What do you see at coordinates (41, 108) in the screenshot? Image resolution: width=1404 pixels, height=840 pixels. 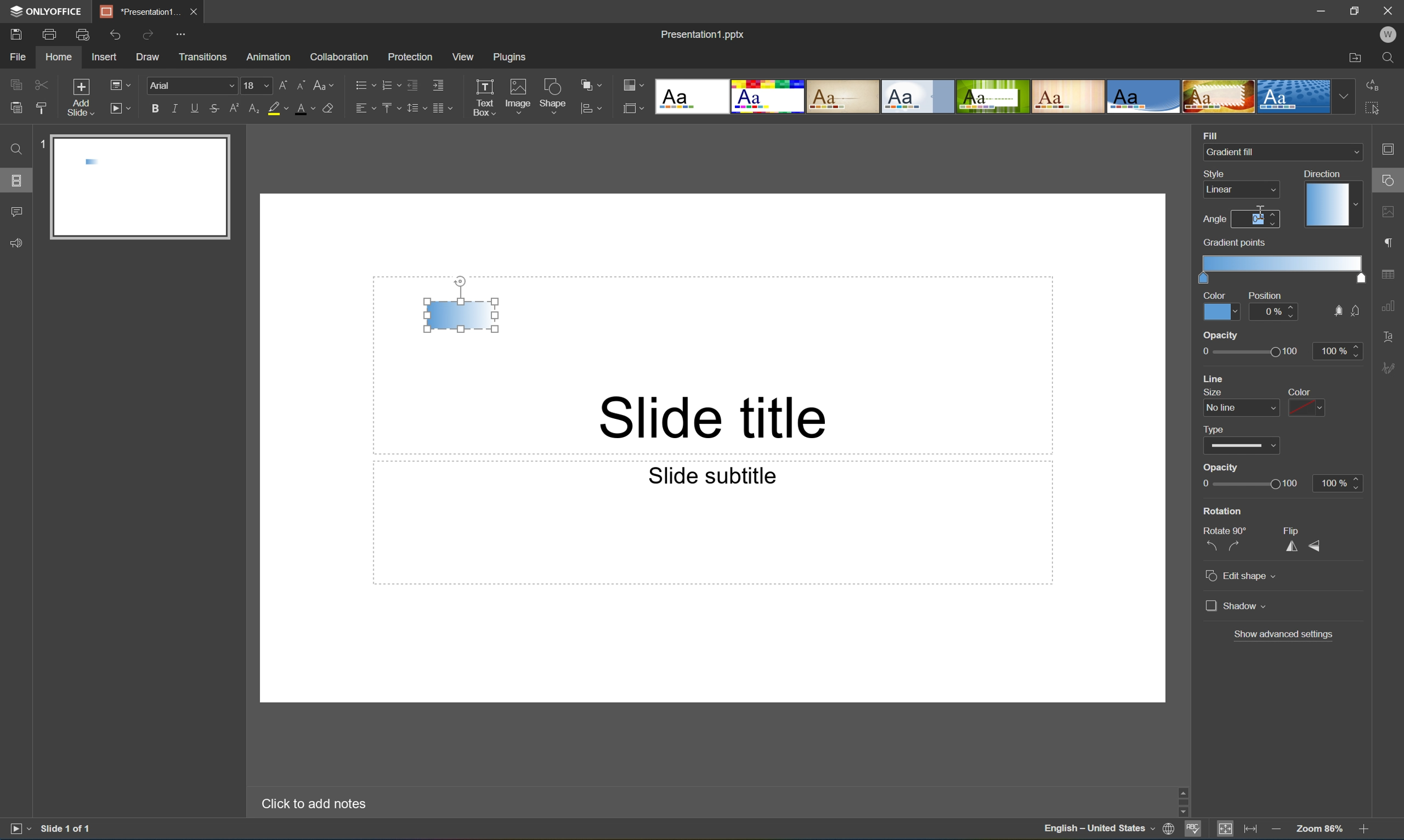 I see `Copy style` at bounding box center [41, 108].